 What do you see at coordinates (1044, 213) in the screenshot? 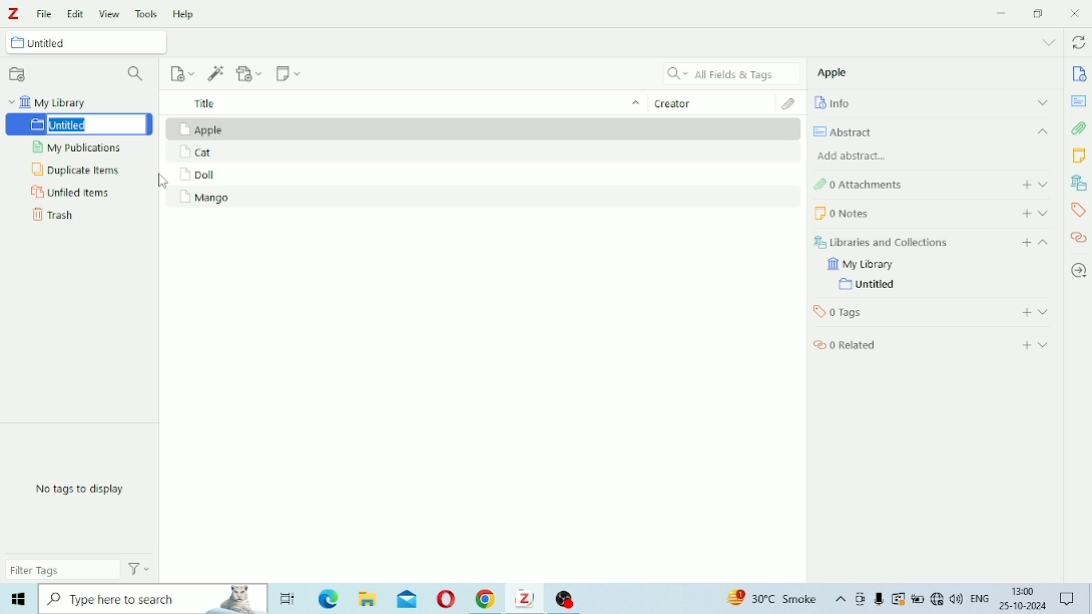
I see `Expand section` at bounding box center [1044, 213].